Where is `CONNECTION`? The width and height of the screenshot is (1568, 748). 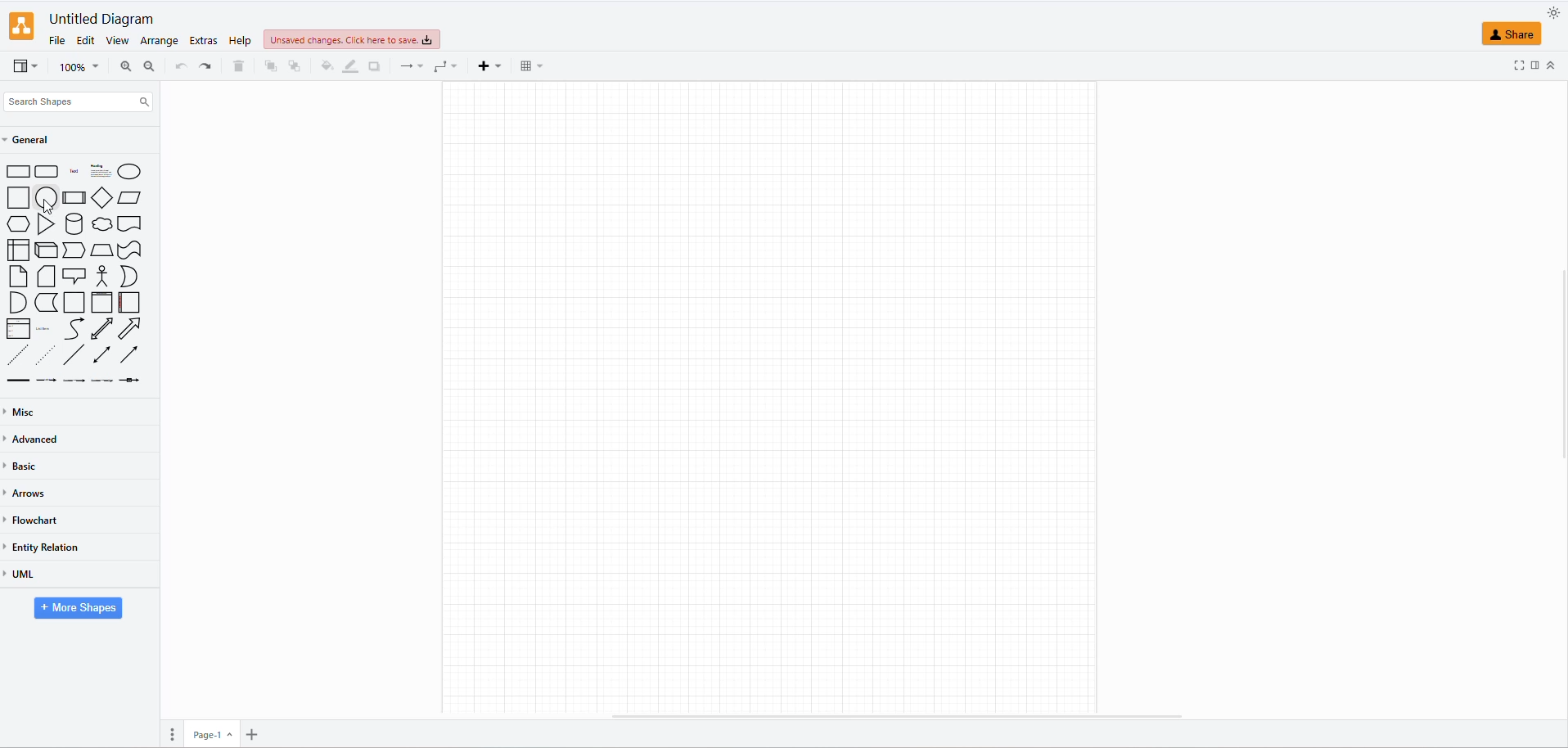 CONNECTION is located at coordinates (408, 69).